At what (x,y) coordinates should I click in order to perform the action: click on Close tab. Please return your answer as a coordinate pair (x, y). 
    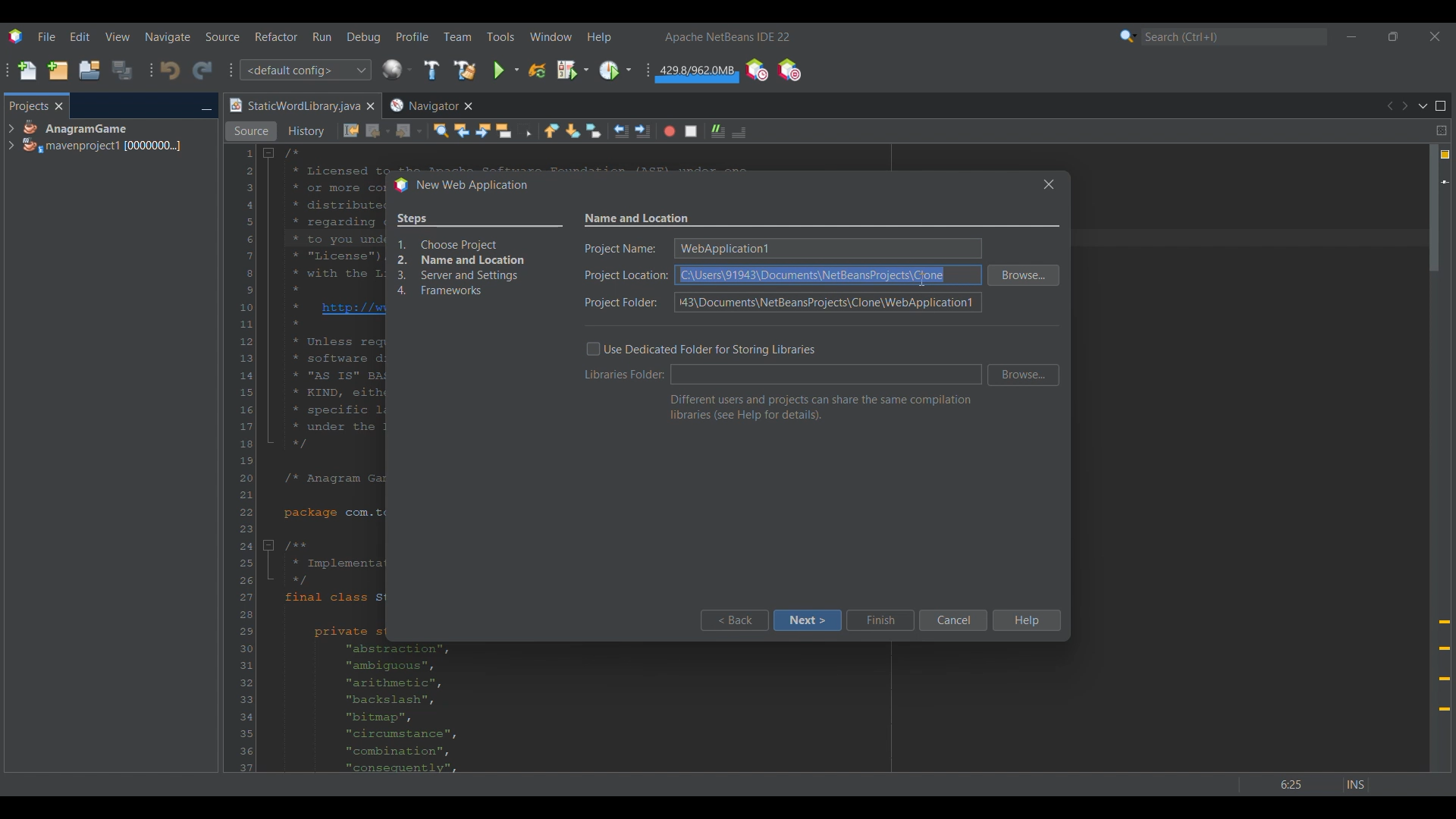
    Looking at the image, I should click on (59, 106).